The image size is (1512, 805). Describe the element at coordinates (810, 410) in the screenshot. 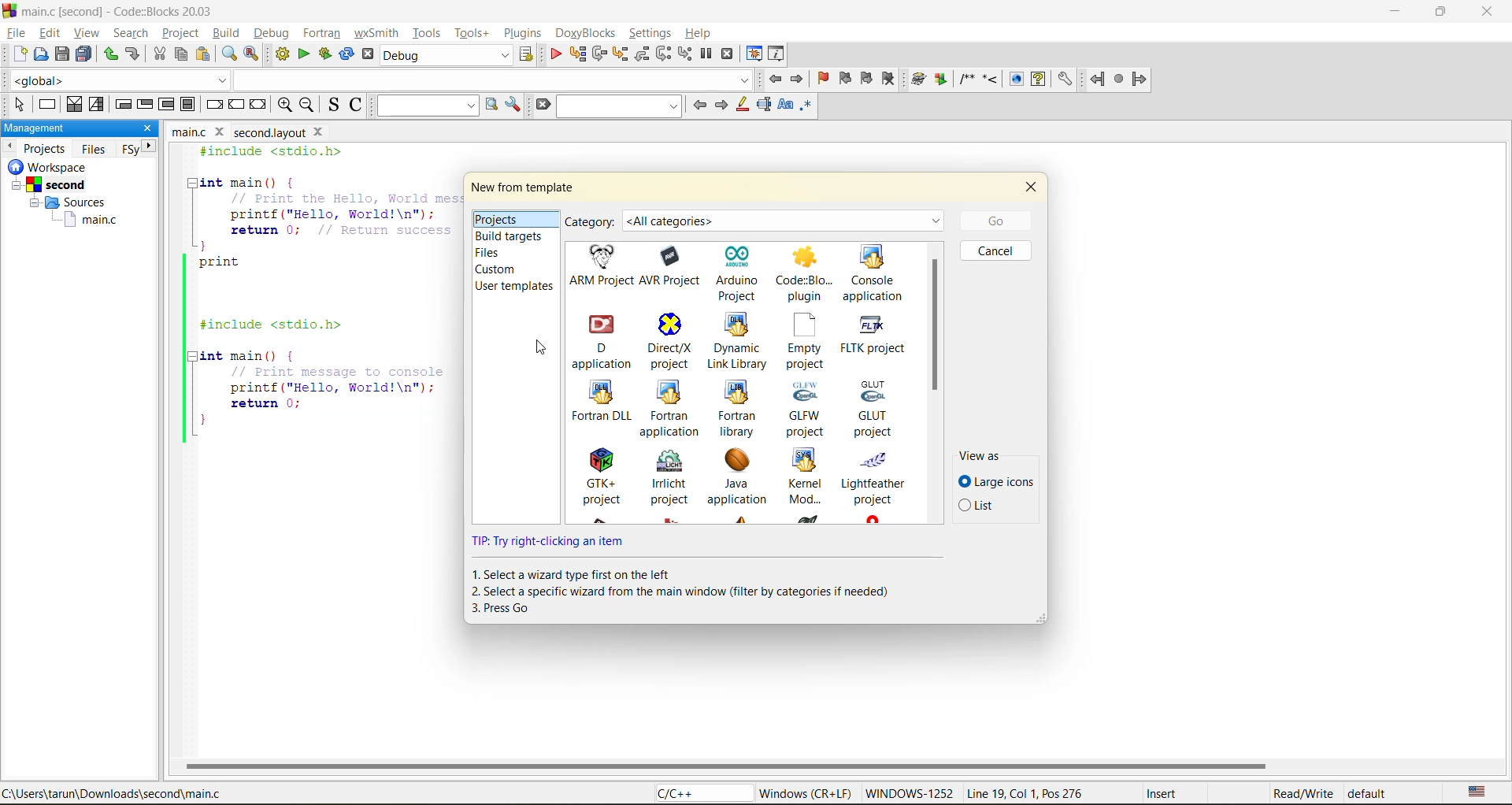

I see `gflw project` at that location.